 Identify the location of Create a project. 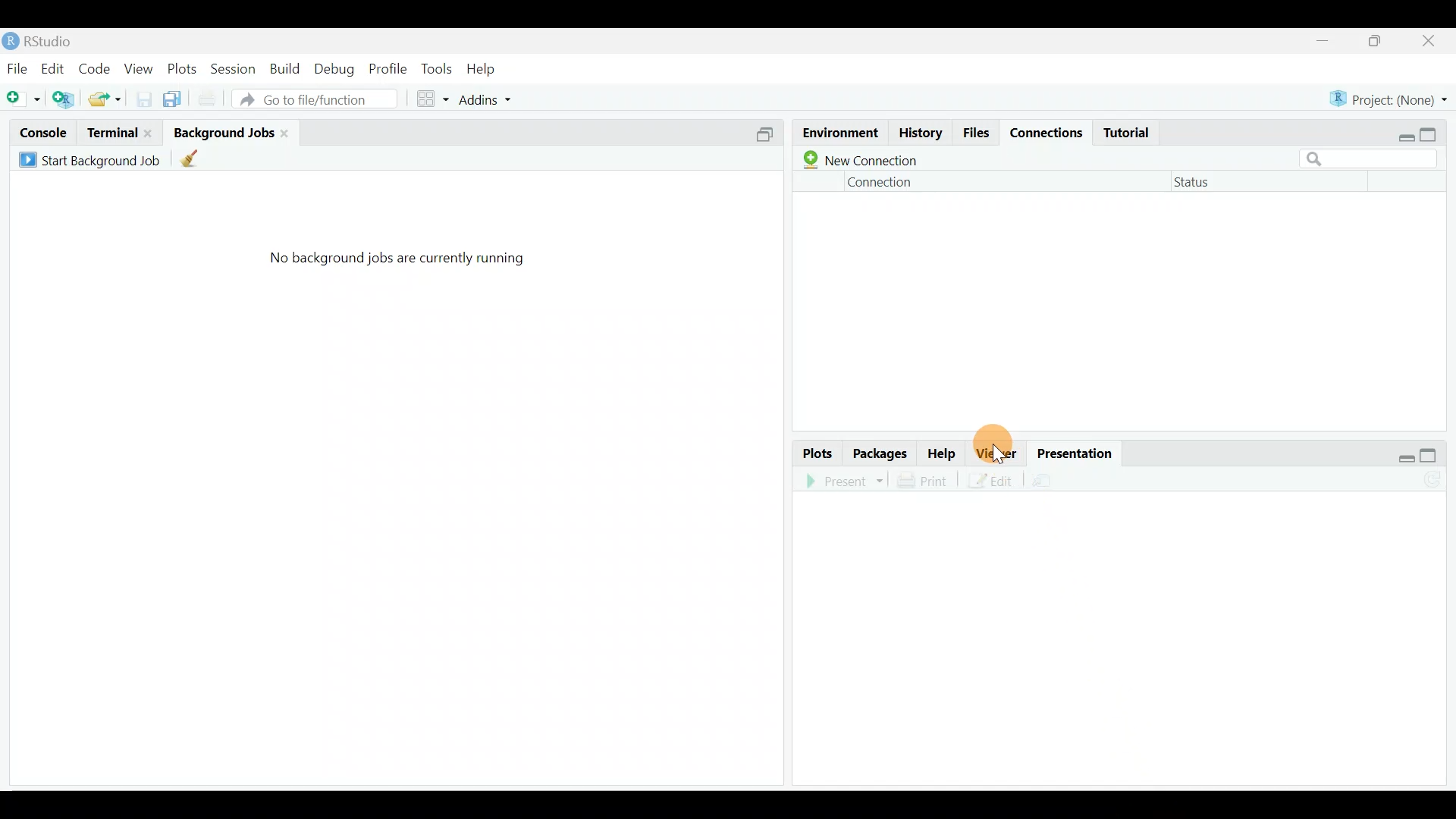
(64, 96).